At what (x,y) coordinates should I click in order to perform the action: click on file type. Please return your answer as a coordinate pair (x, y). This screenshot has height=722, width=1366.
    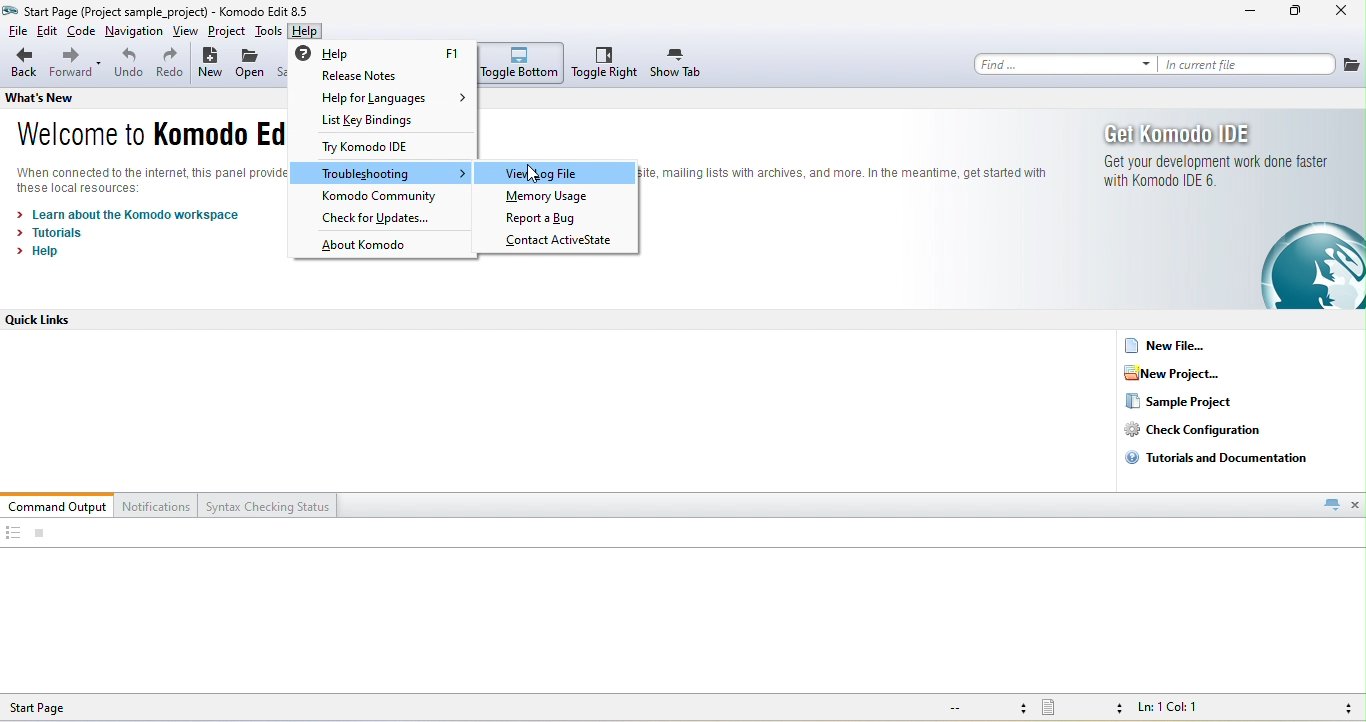
    Looking at the image, I should click on (1082, 709).